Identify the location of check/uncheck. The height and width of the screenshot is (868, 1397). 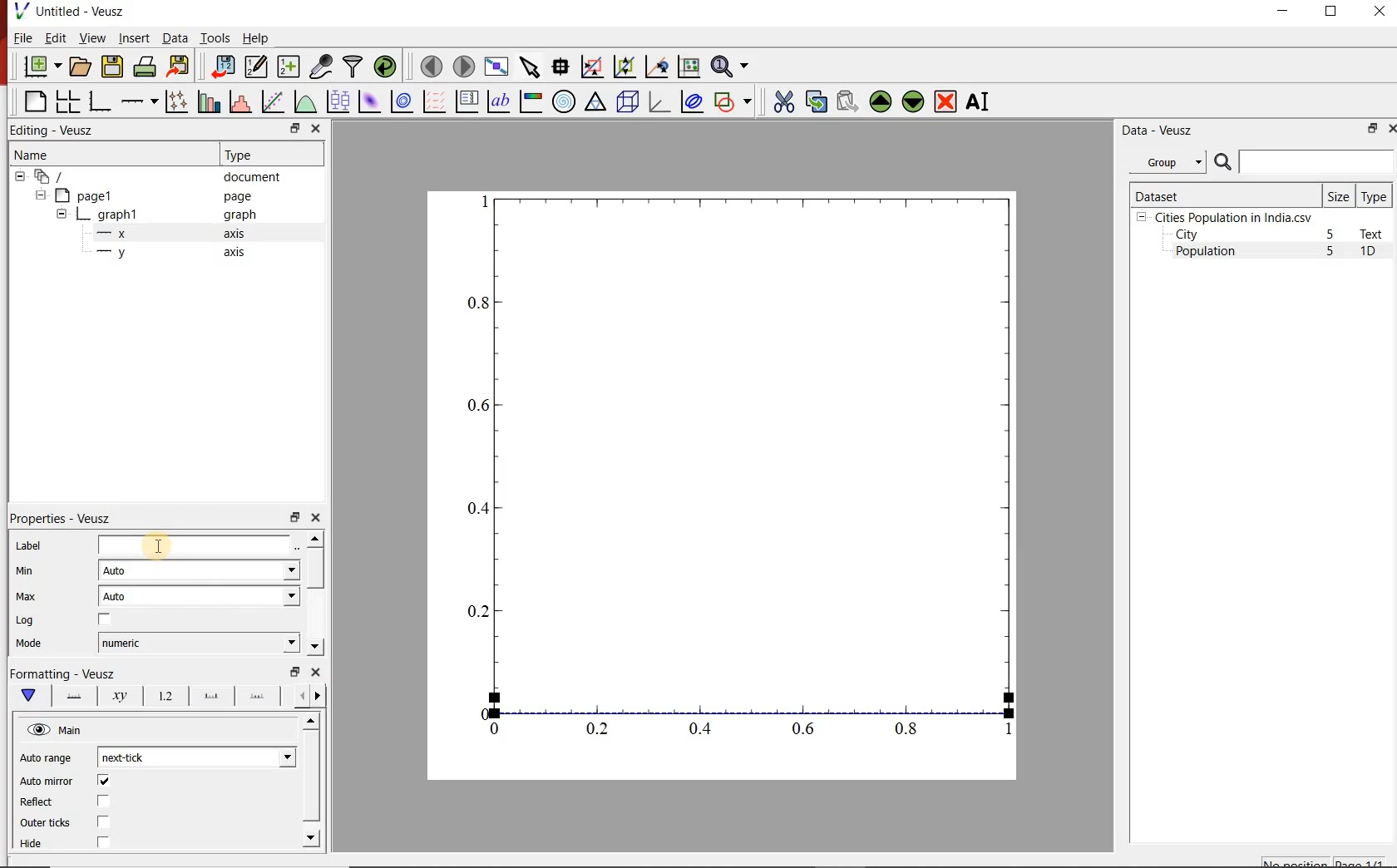
(102, 845).